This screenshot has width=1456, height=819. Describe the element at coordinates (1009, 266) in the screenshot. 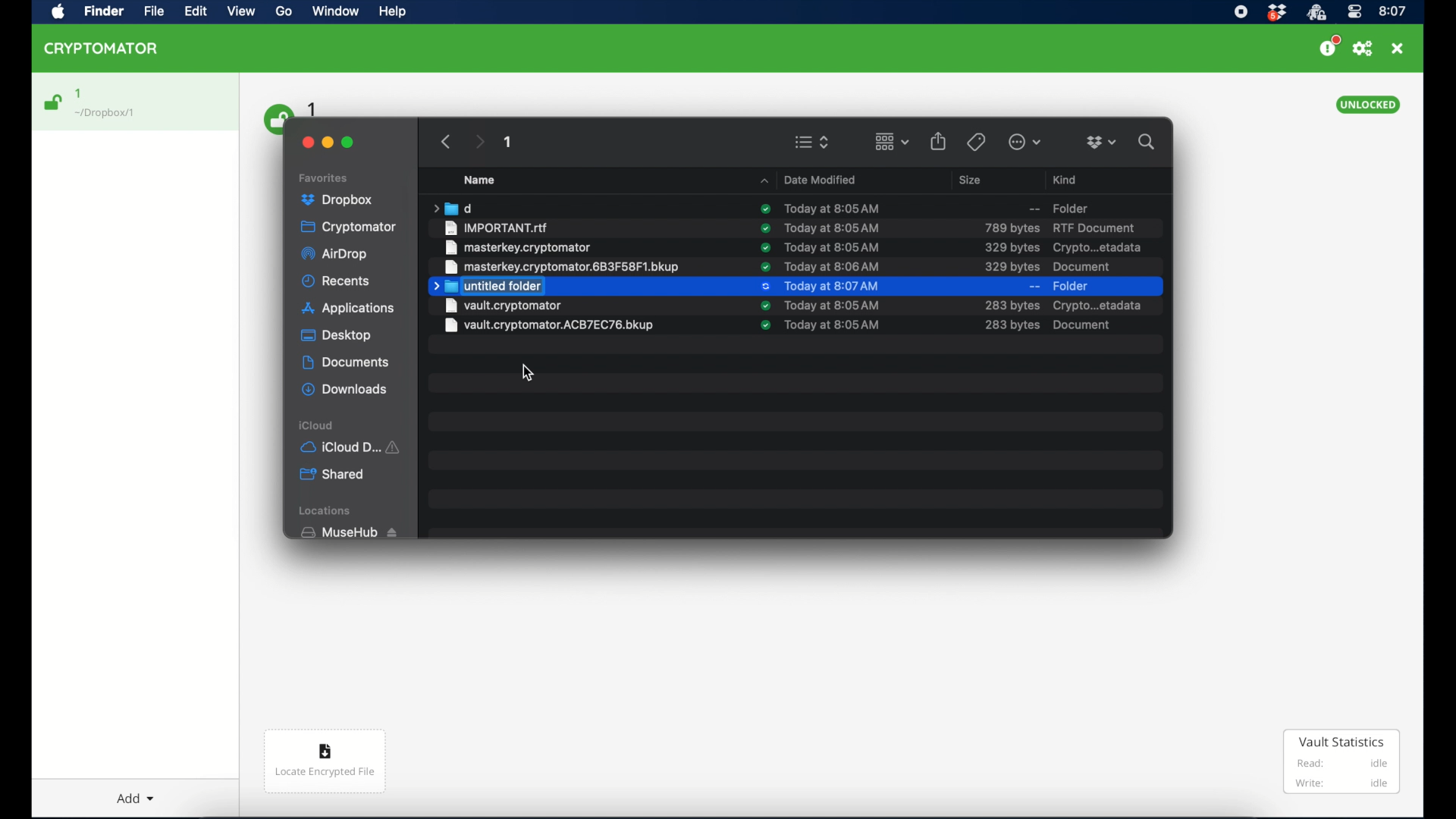

I see `size` at that location.